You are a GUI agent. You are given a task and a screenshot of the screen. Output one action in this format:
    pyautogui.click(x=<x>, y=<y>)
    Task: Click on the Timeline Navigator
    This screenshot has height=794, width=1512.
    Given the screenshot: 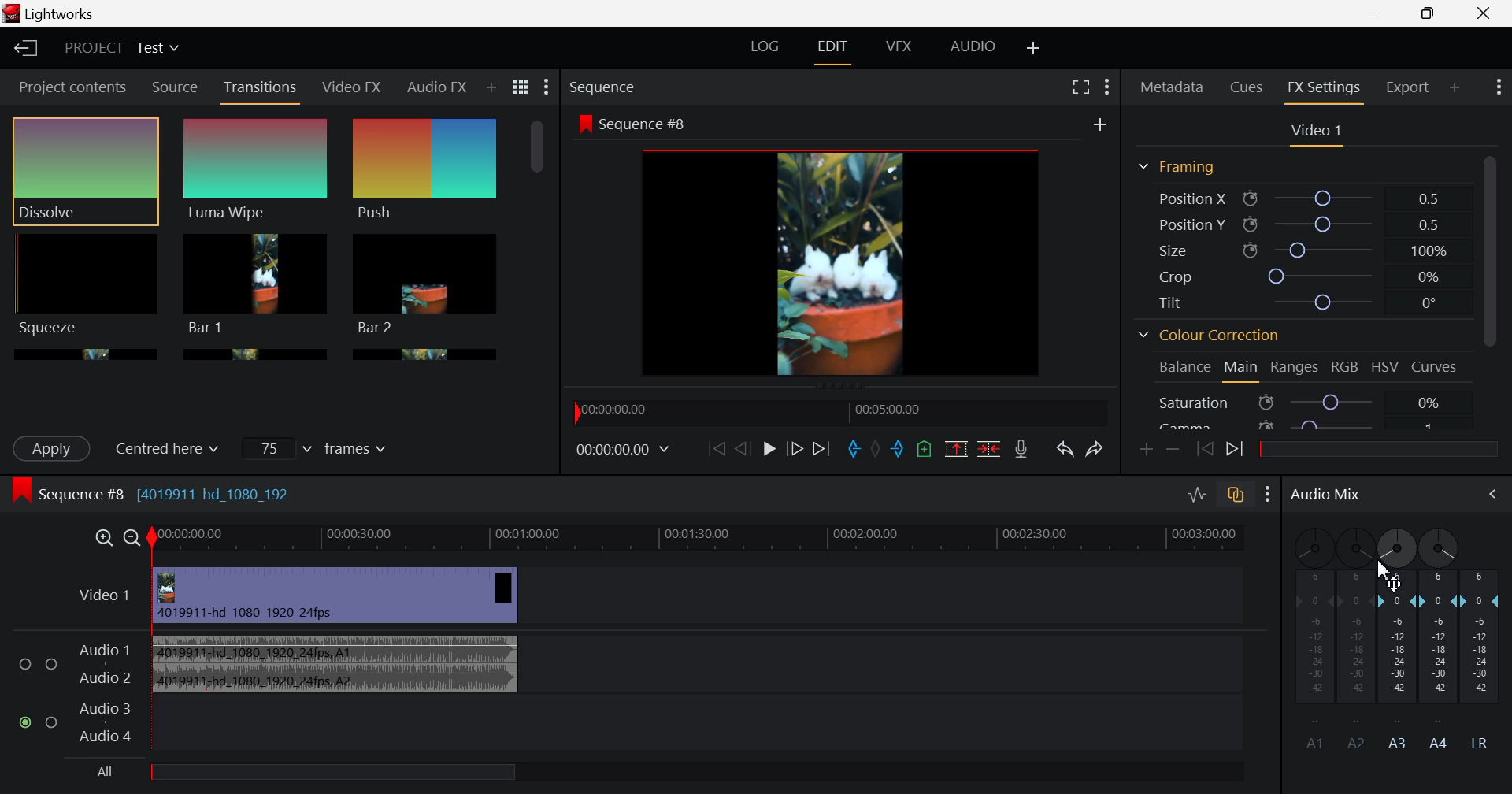 What is the action you would take?
    pyautogui.click(x=841, y=412)
    